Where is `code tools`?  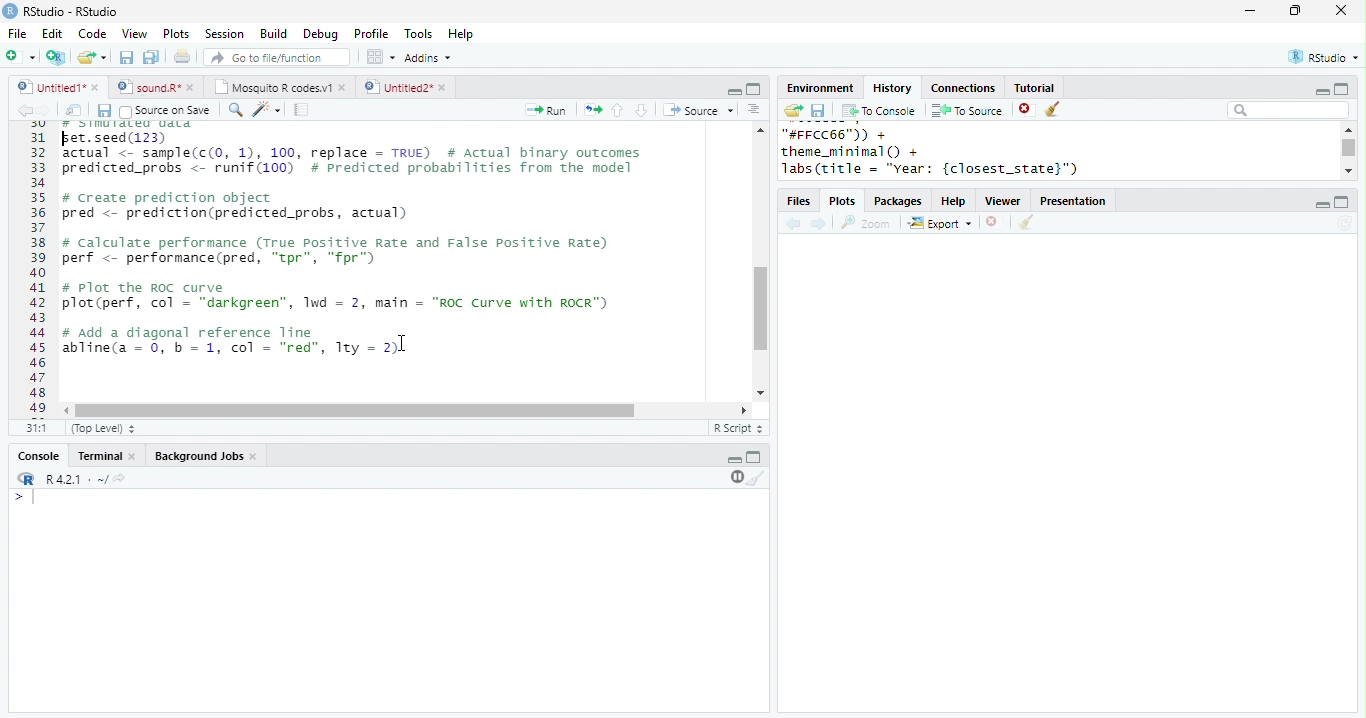 code tools is located at coordinates (267, 109).